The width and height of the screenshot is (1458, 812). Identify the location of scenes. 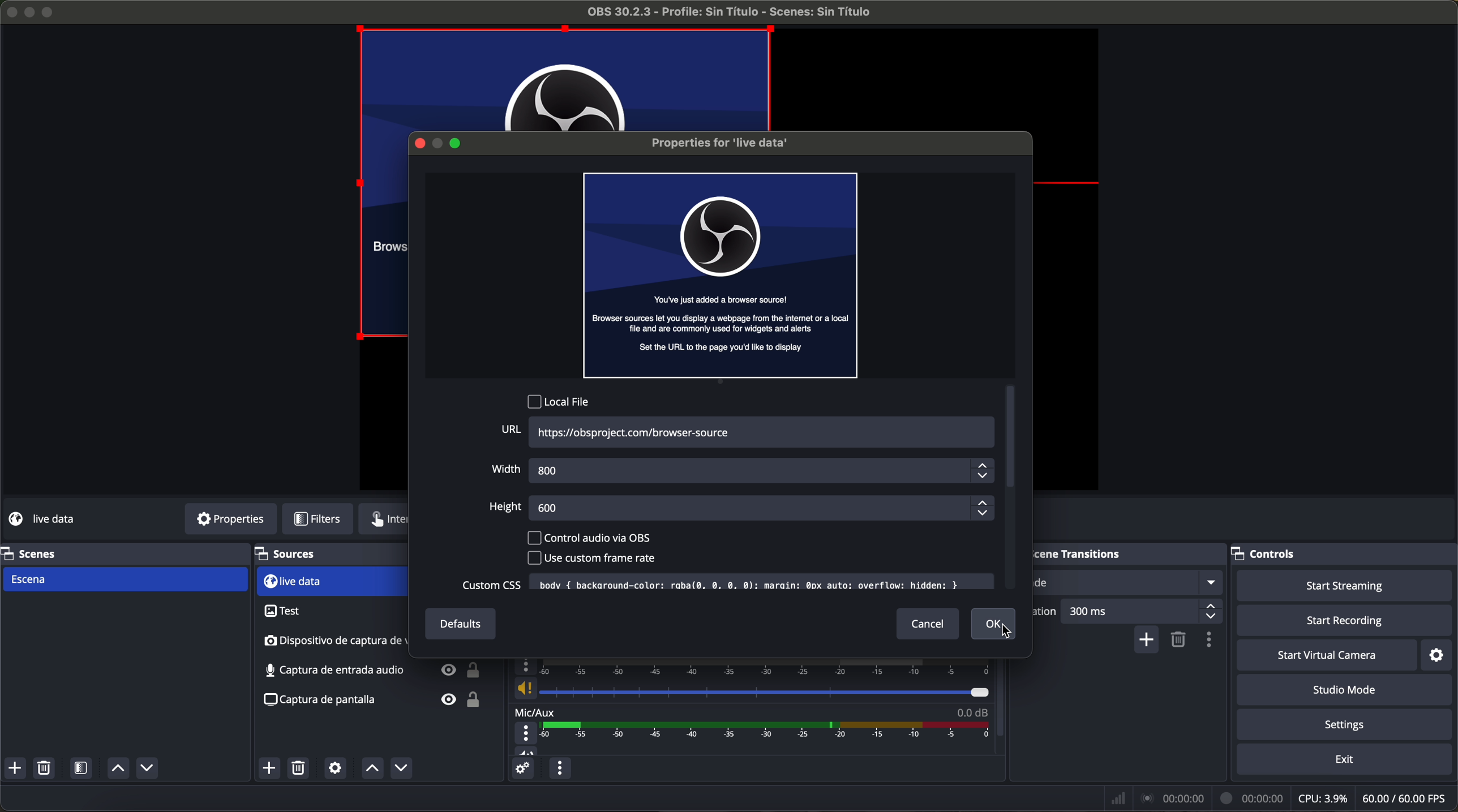
(40, 554).